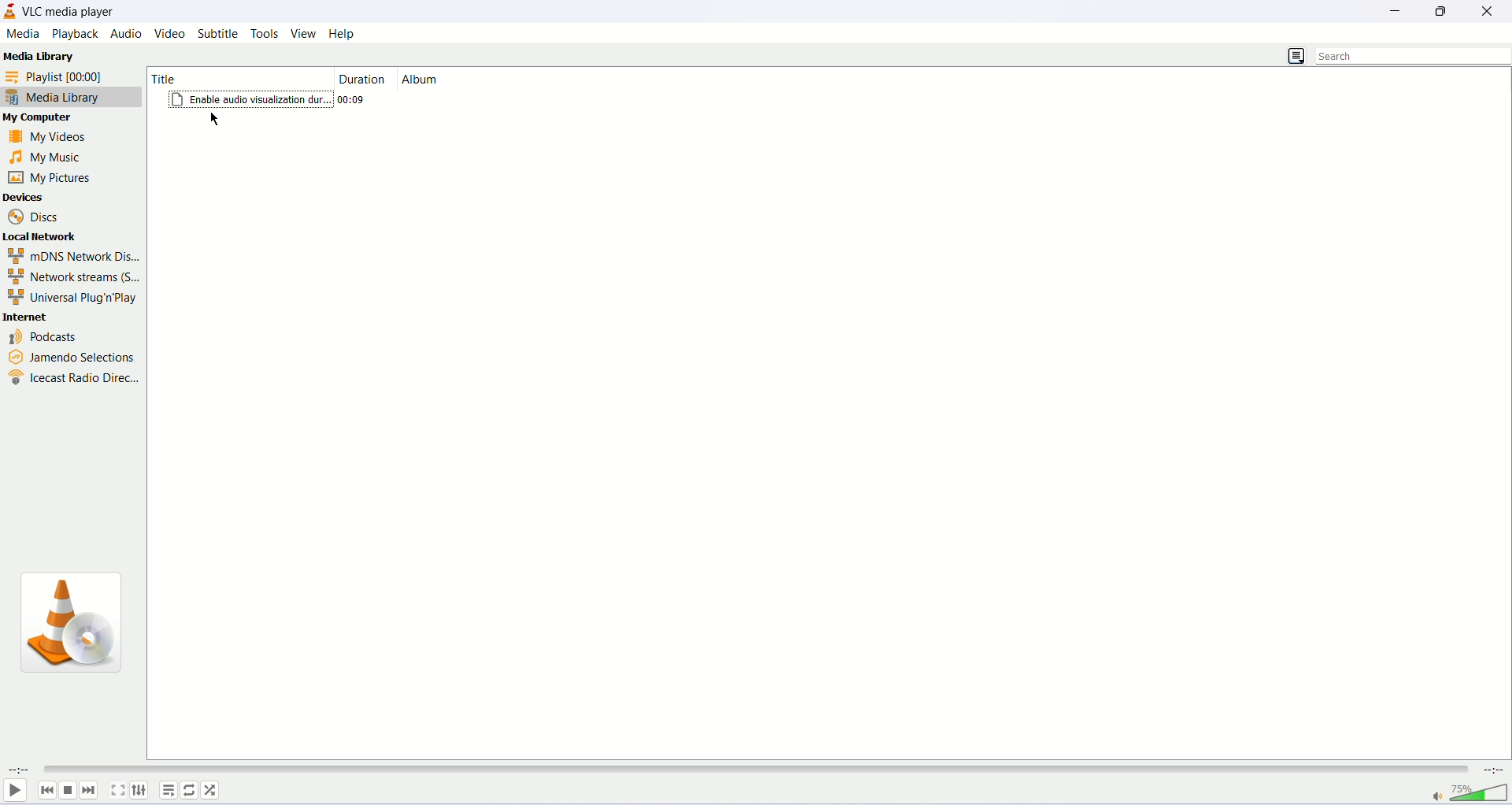  Describe the element at coordinates (1402, 9) in the screenshot. I see `minimize` at that location.